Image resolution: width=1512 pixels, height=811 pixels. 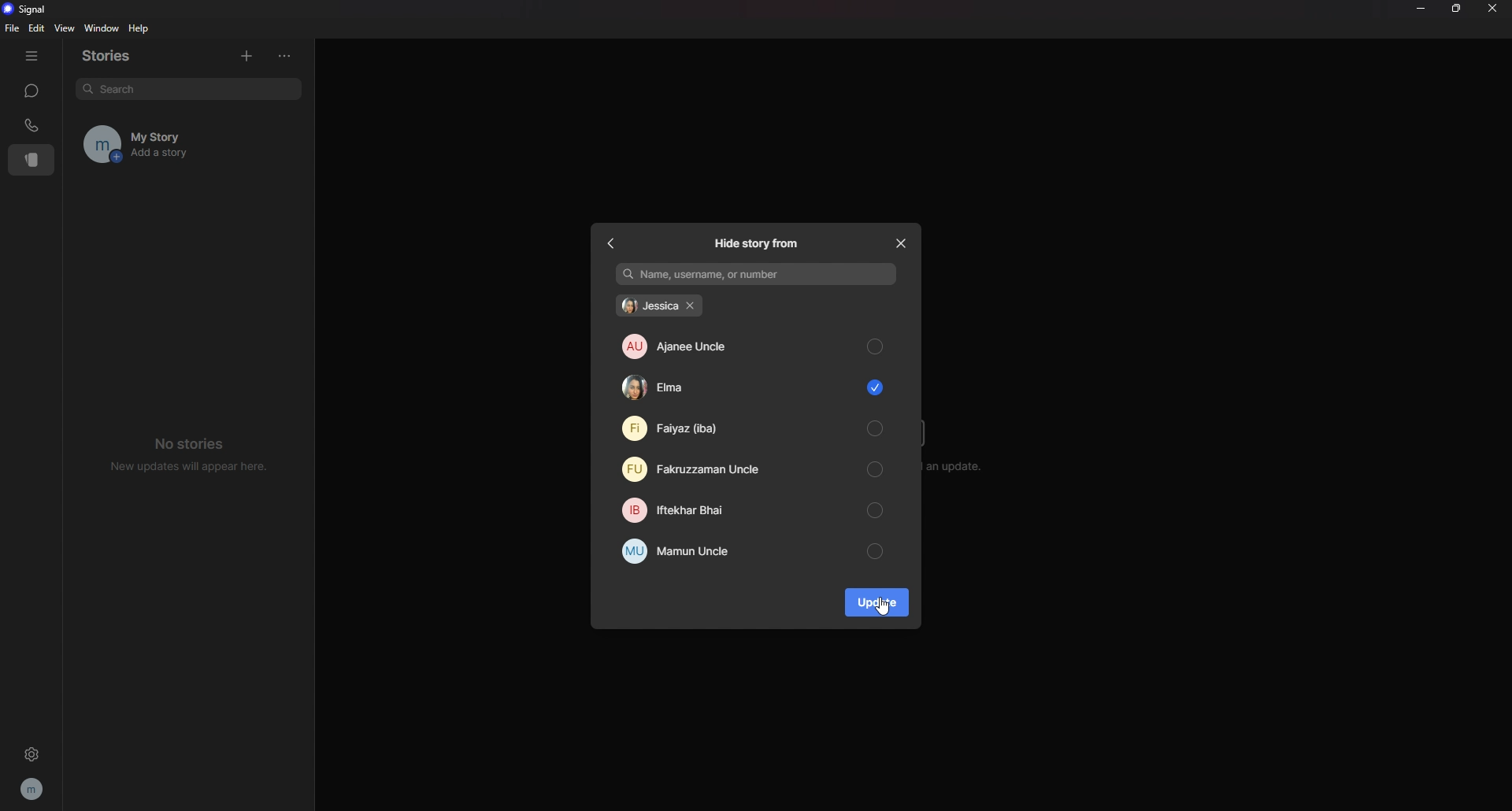 I want to click on edit, so click(x=36, y=28).